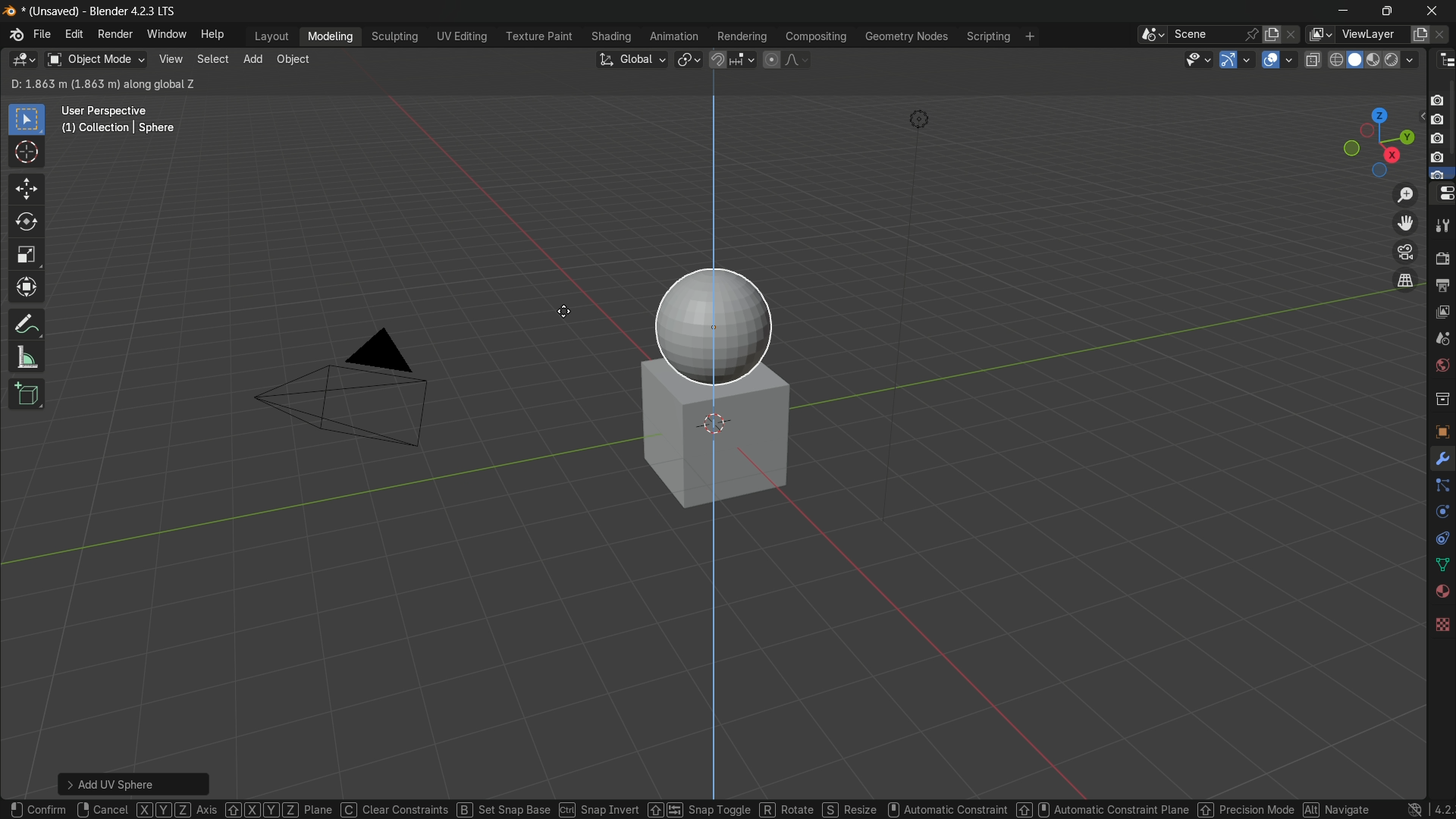 The width and height of the screenshot is (1456, 819). What do you see at coordinates (568, 316) in the screenshot?
I see `cursor` at bounding box center [568, 316].